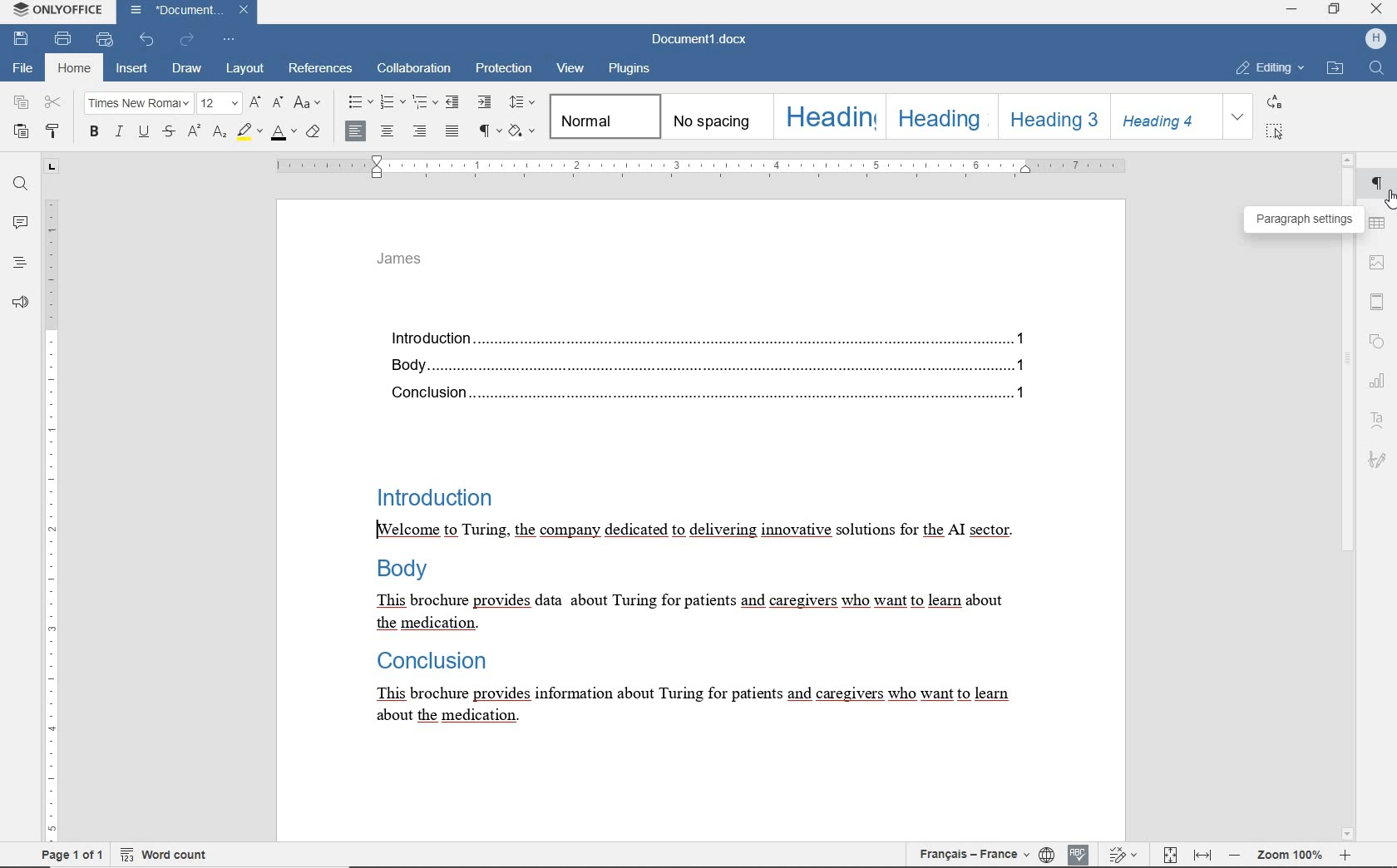  What do you see at coordinates (146, 133) in the screenshot?
I see `underline` at bounding box center [146, 133].